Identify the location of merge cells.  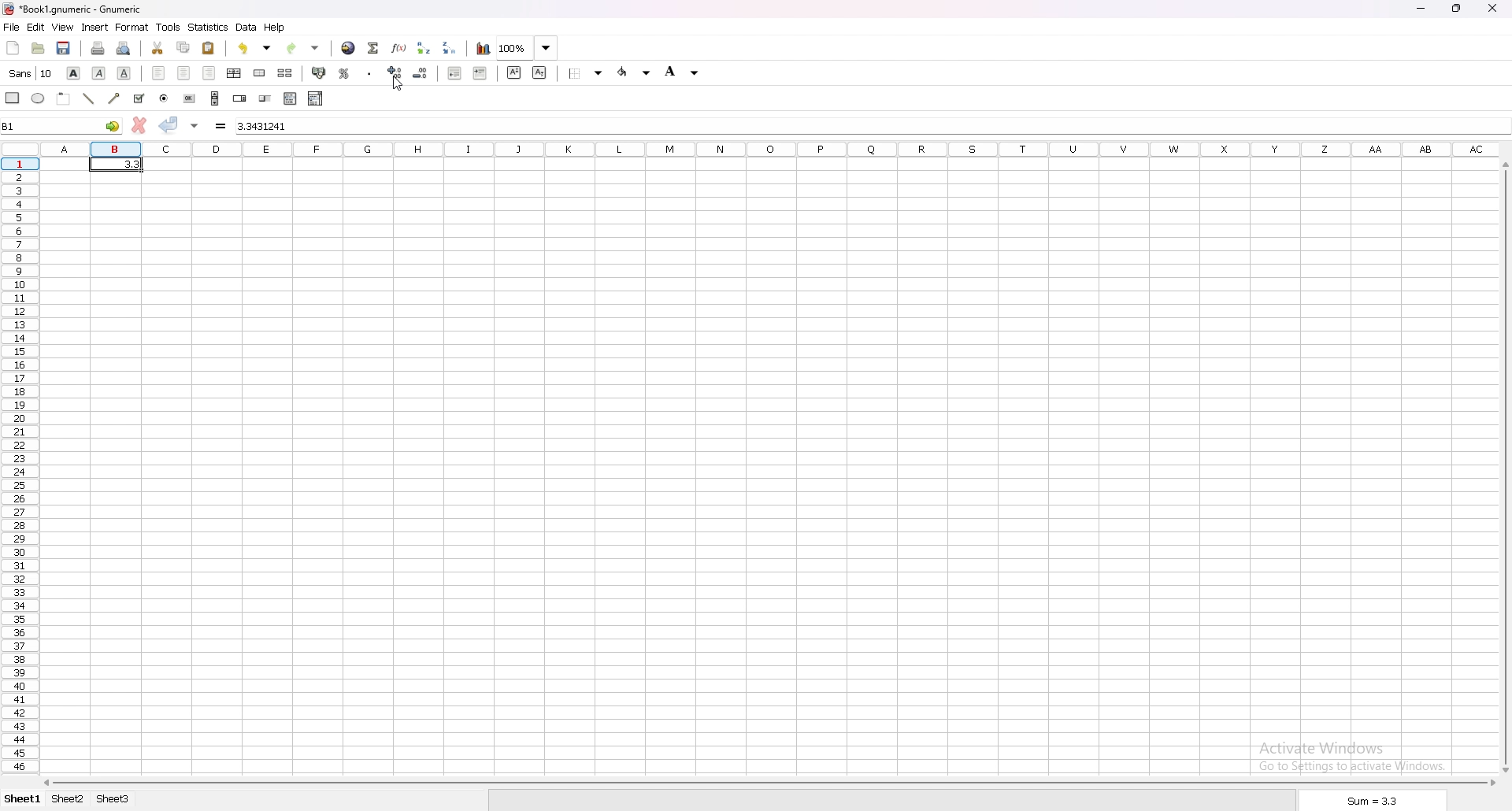
(259, 74).